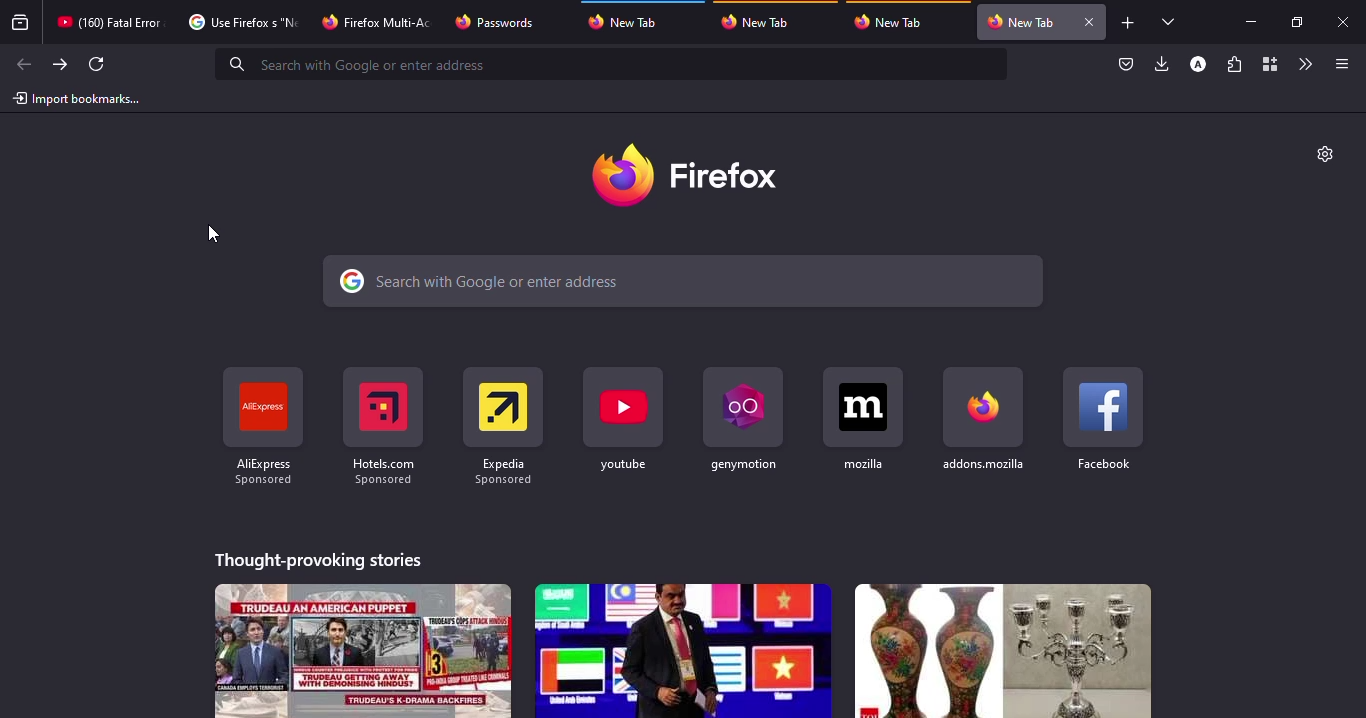 This screenshot has height=718, width=1366. I want to click on account, so click(1198, 64).